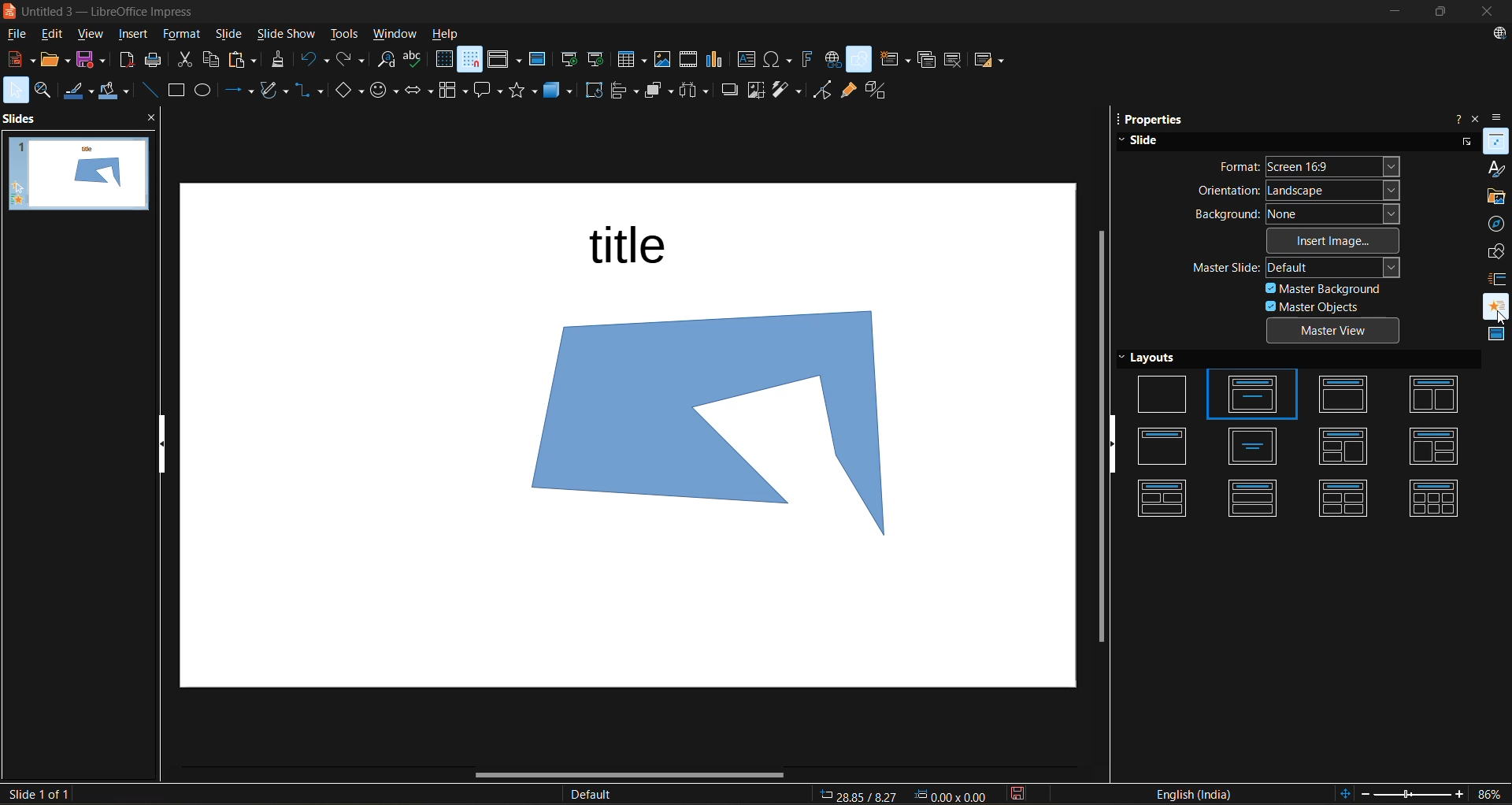  What do you see at coordinates (180, 35) in the screenshot?
I see `format` at bounding box center [180, 35].